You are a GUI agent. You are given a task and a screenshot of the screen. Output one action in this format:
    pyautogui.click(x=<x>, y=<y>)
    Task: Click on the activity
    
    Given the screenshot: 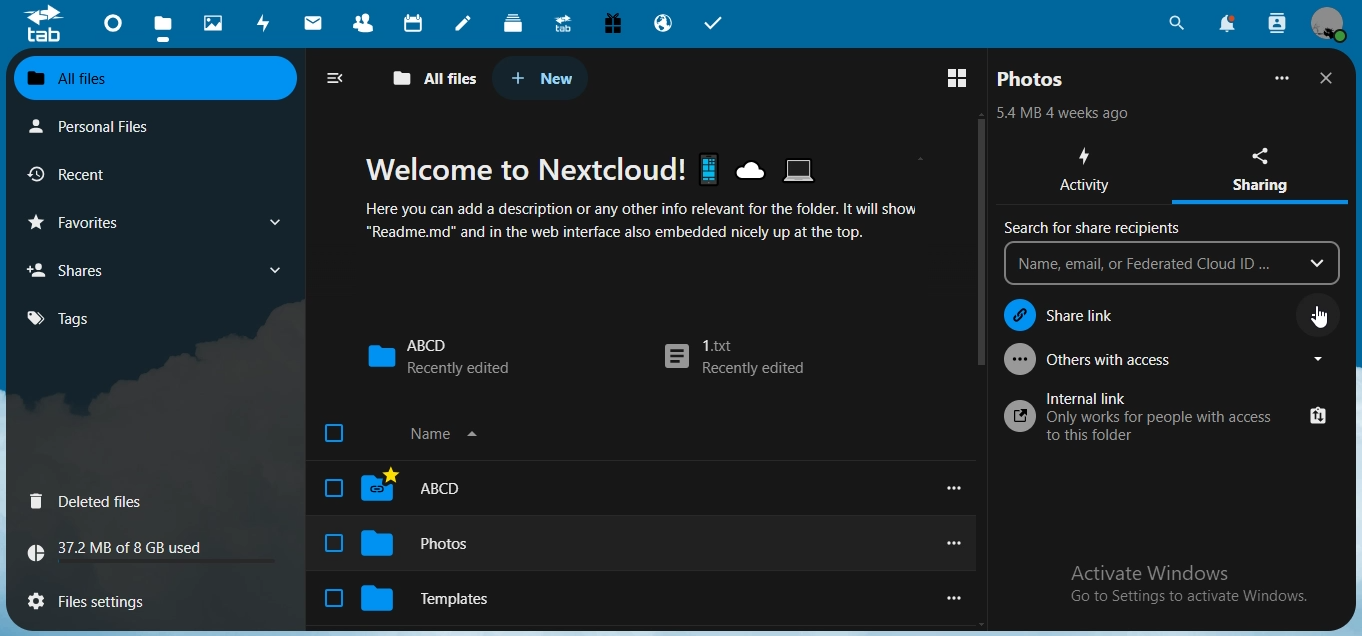 What is the action you would take?
    pyautogui.click(x=1088, y=172)
    